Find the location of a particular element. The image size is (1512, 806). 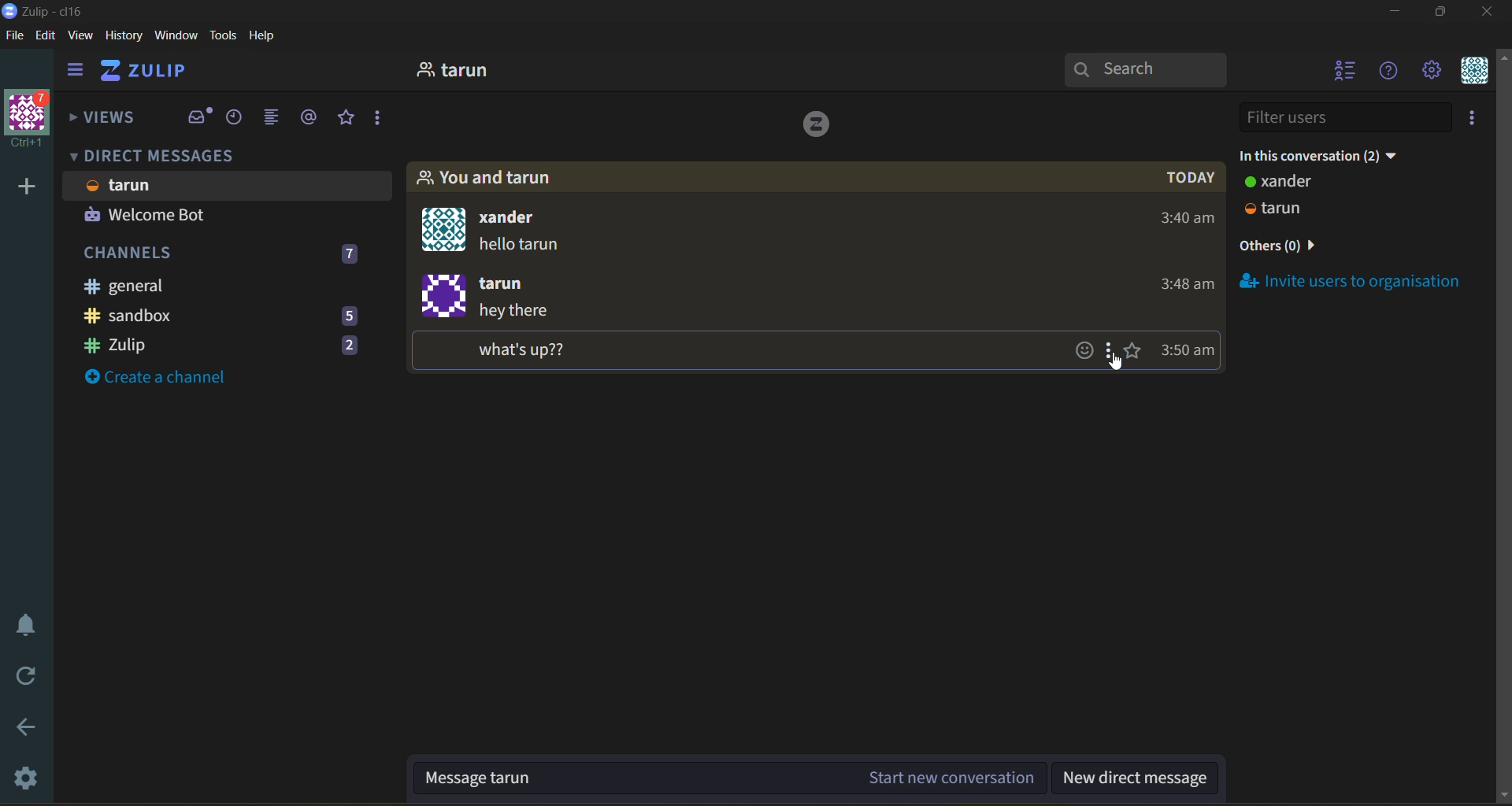

user name is located at coordinates (522, 219).